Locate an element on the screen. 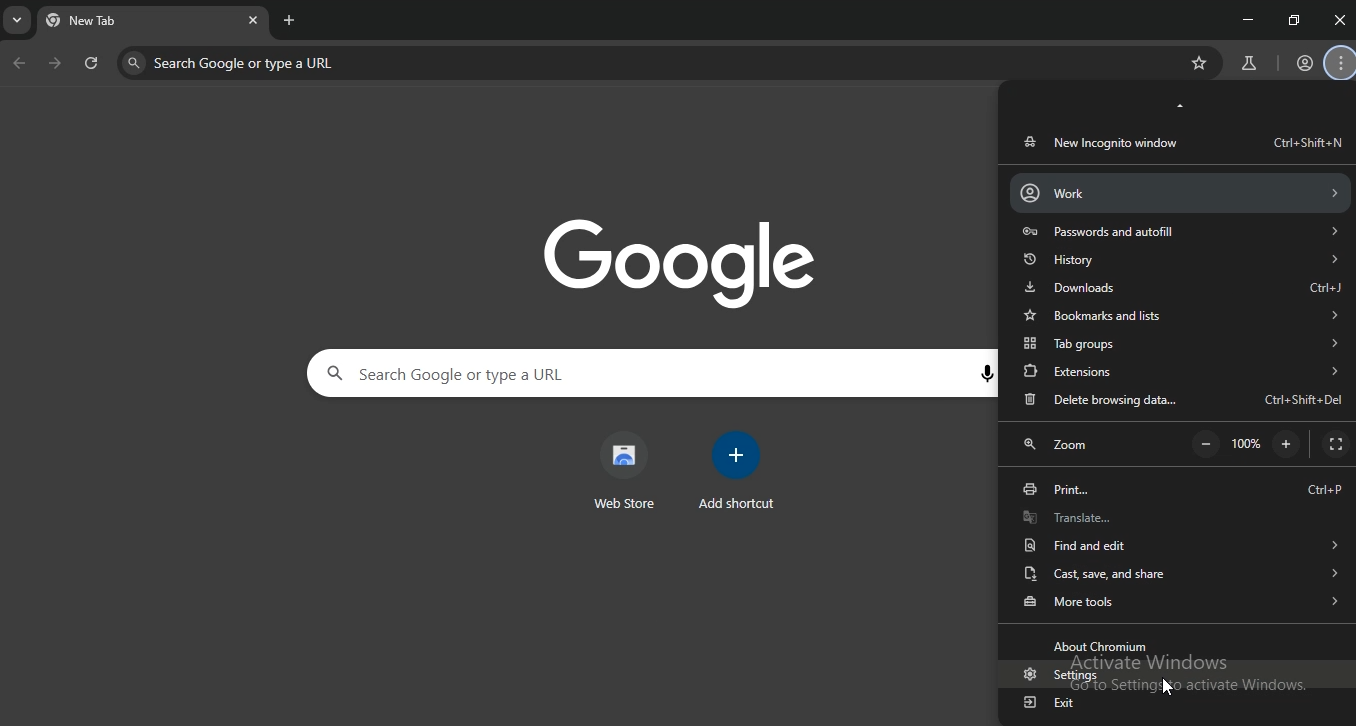  google is located at coordinates (692, 261).